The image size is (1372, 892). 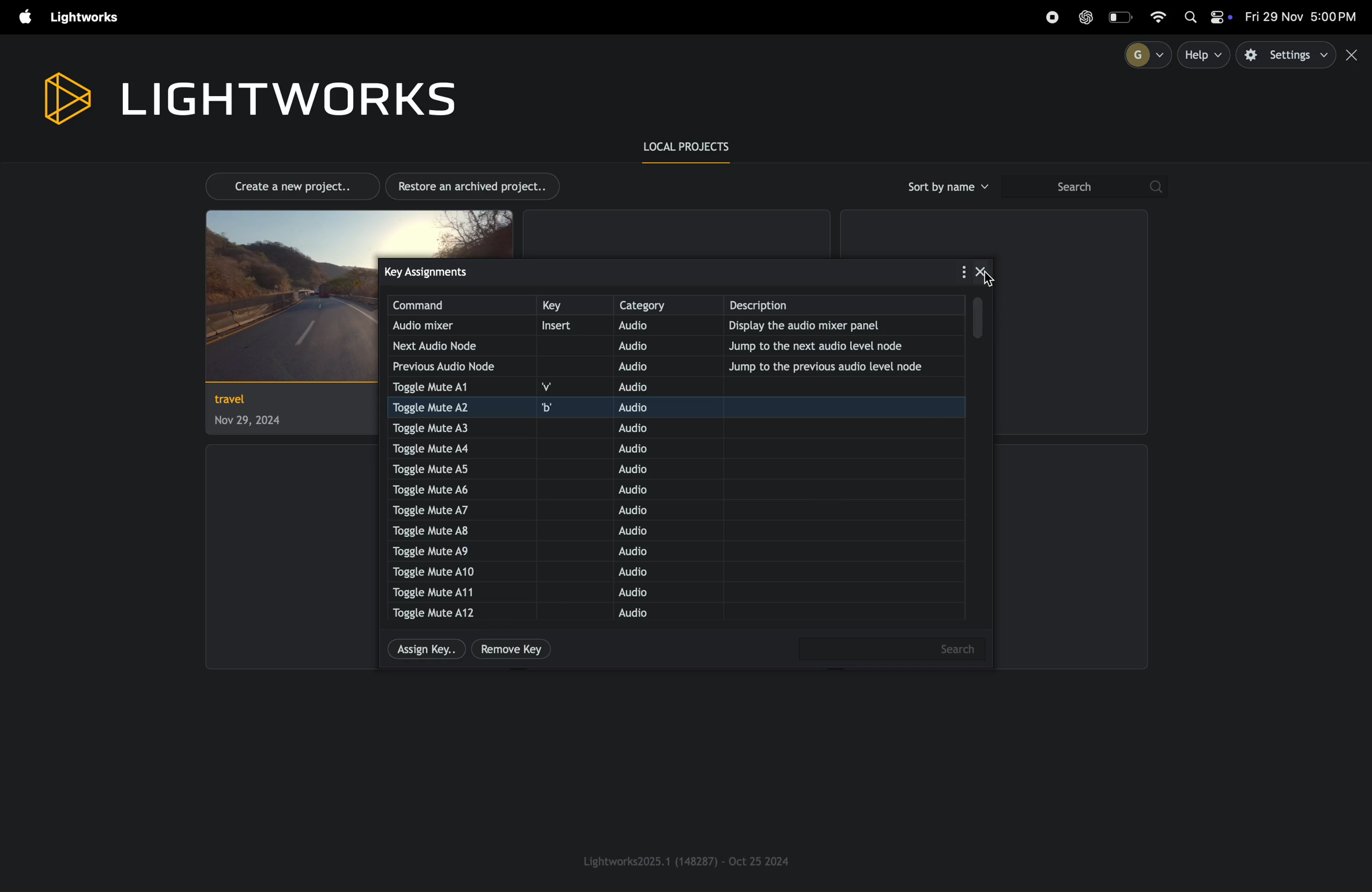 I want to click on toggle mute A6, so click(x=446, y=489).